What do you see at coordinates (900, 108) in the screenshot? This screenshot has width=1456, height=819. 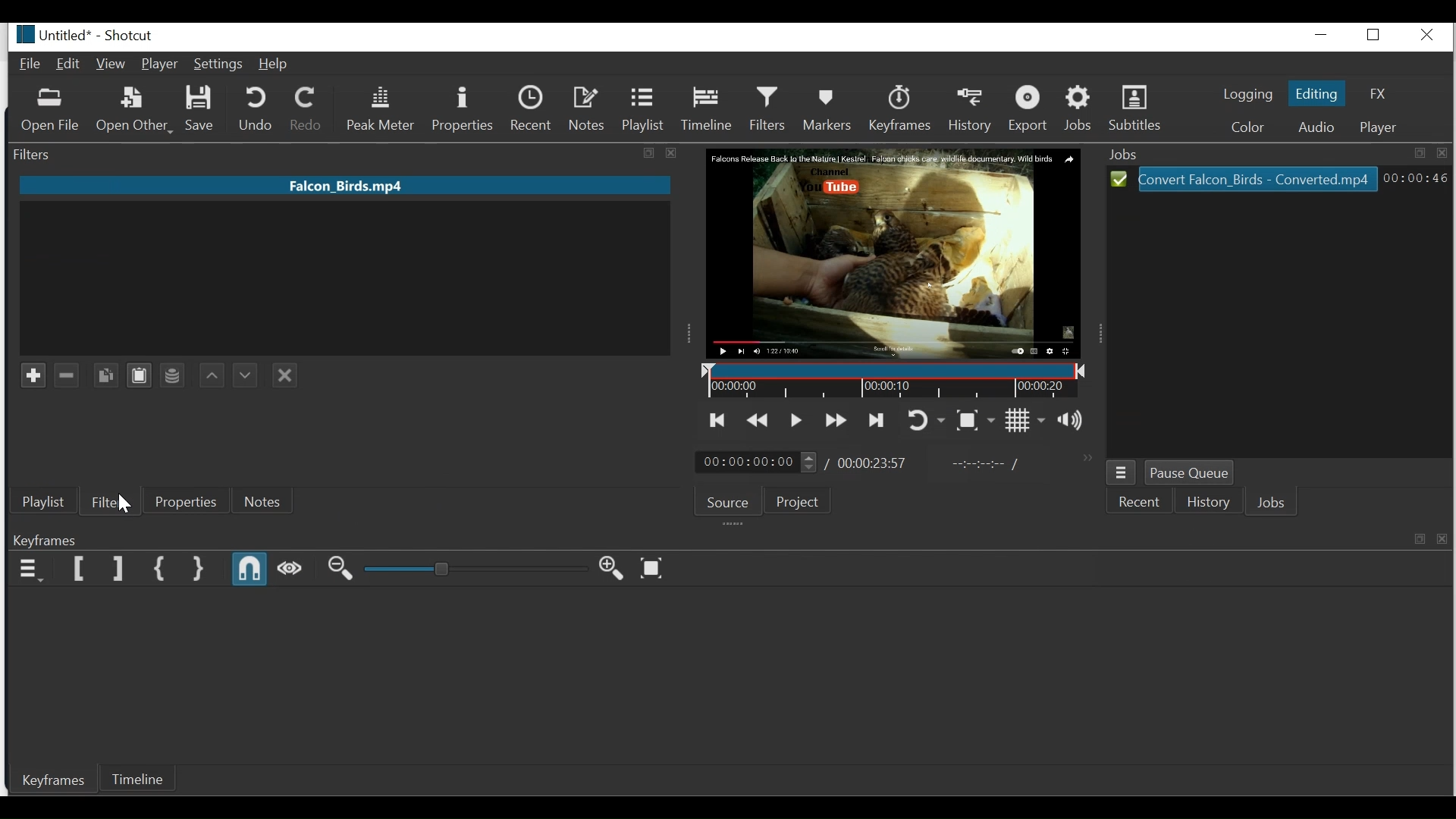 I see `Keyframes` at bounding box center [900, 108].